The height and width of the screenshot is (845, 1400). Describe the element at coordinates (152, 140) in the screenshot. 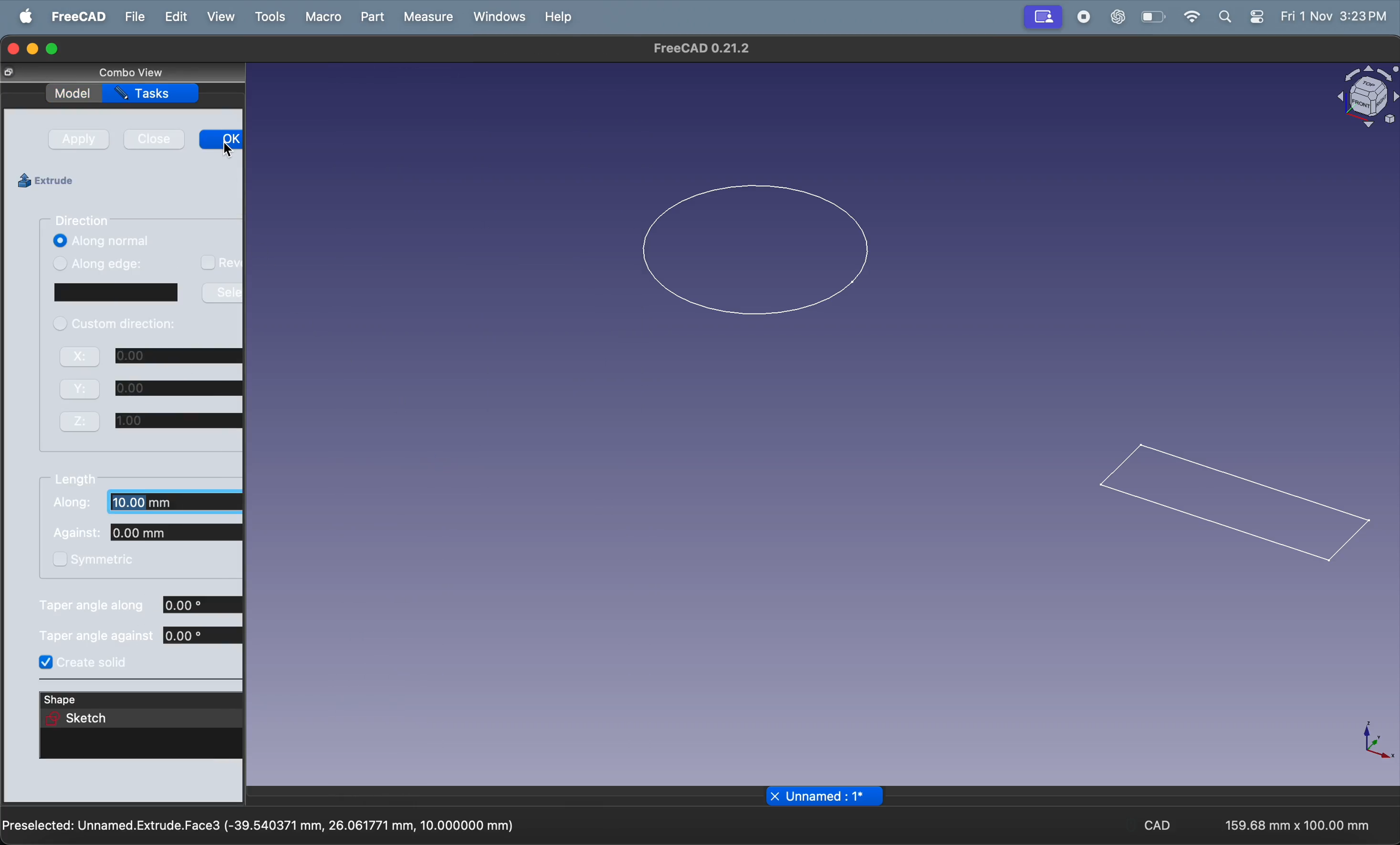

I see `Close` at that location.